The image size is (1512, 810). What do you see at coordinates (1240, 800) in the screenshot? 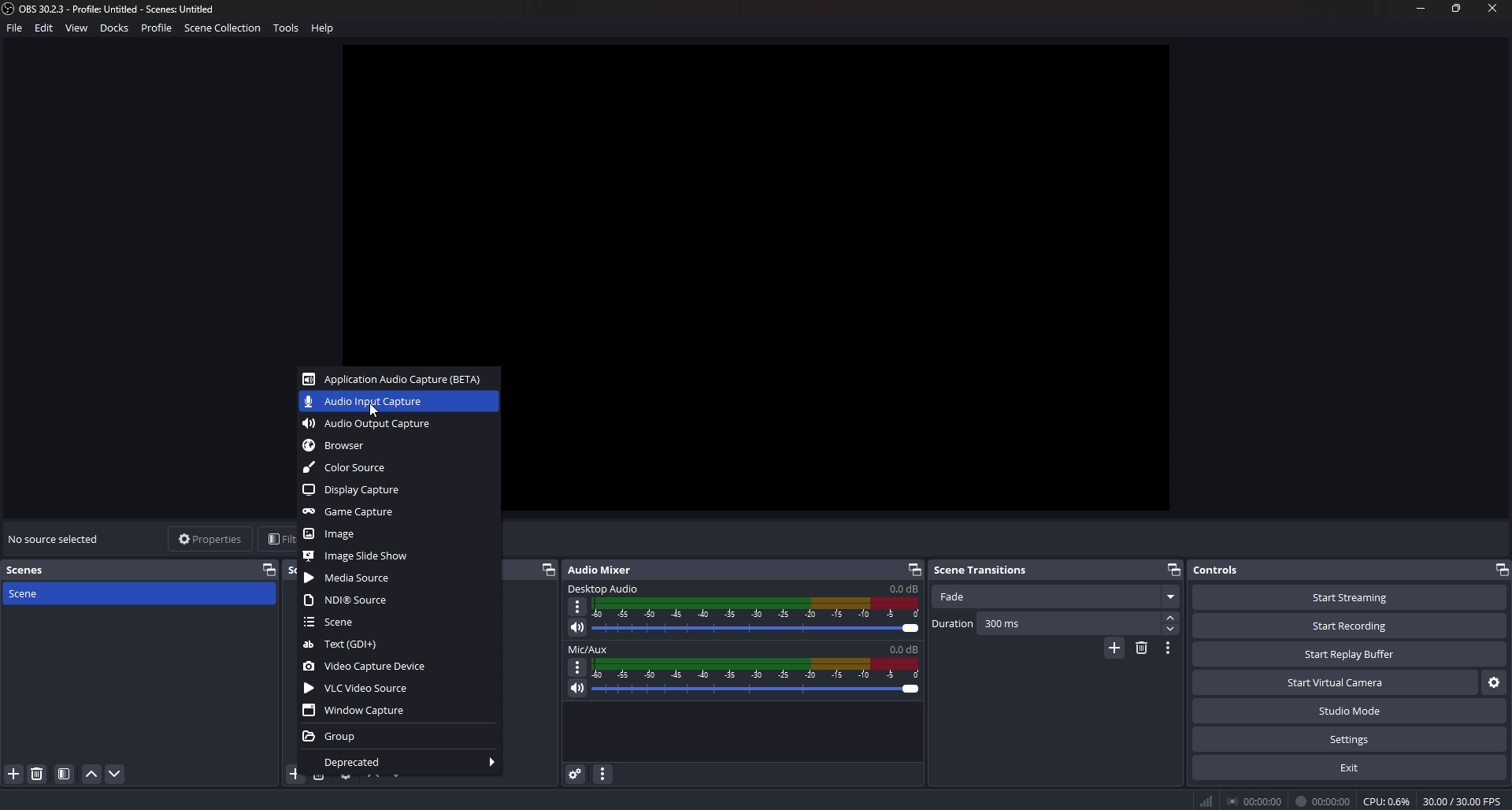
I see `® 00:00:00` at bounding box center [1240, 800].